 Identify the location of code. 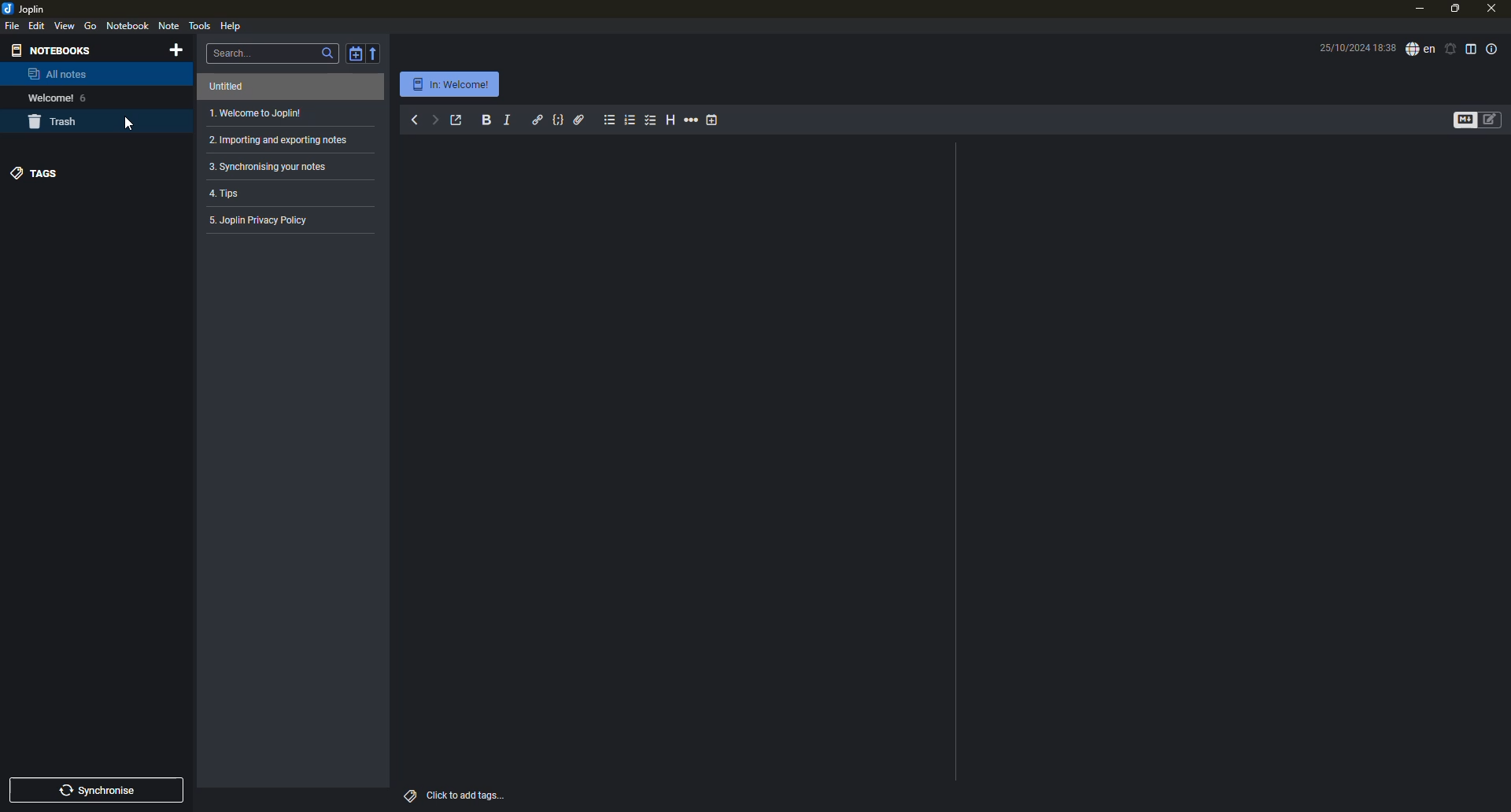
(560, 119).